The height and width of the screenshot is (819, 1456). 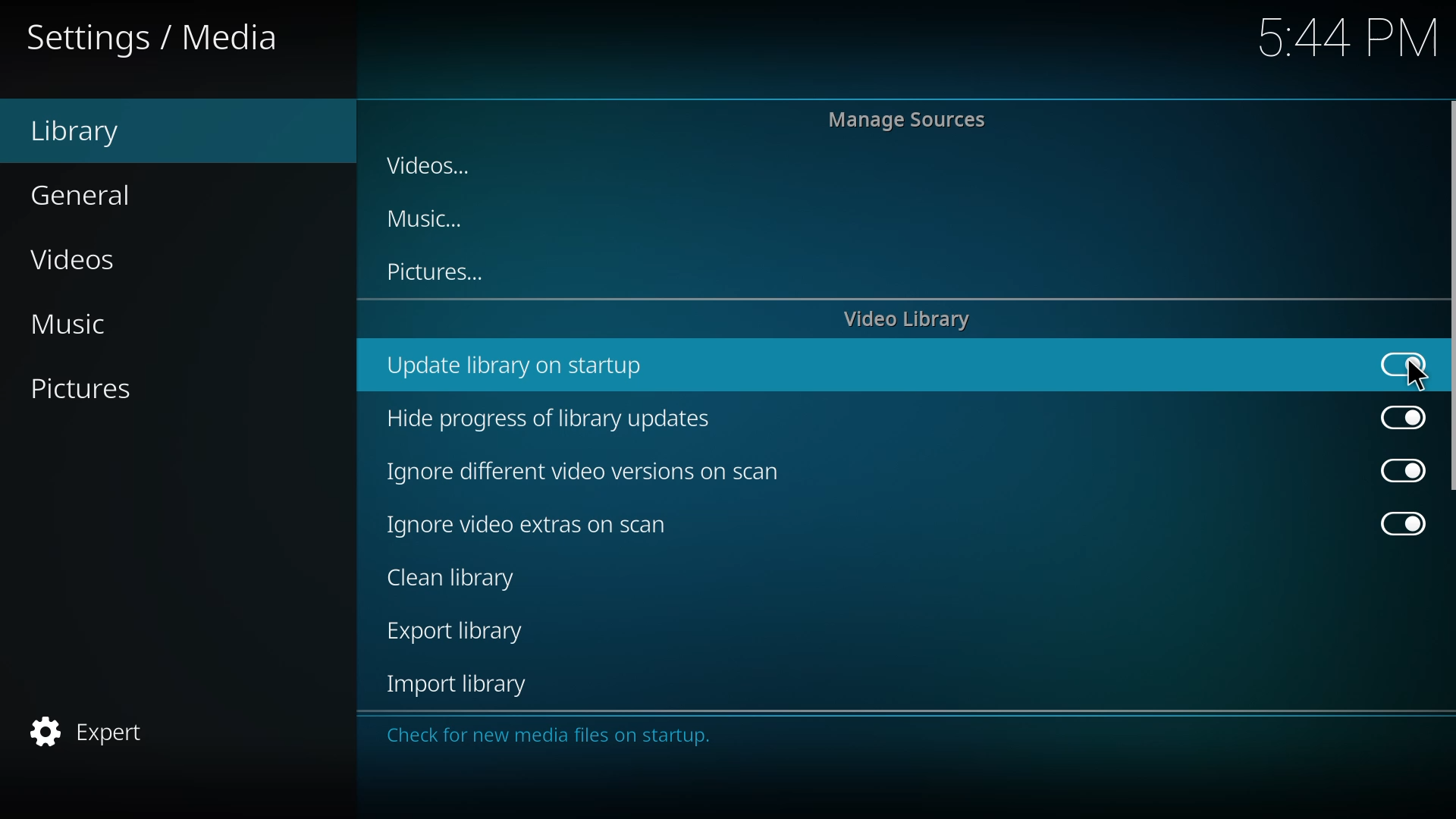 What do you see at coordinates (1406, 360) in the screenshot?
I see `enabled` at bounding box center [1406, 360].